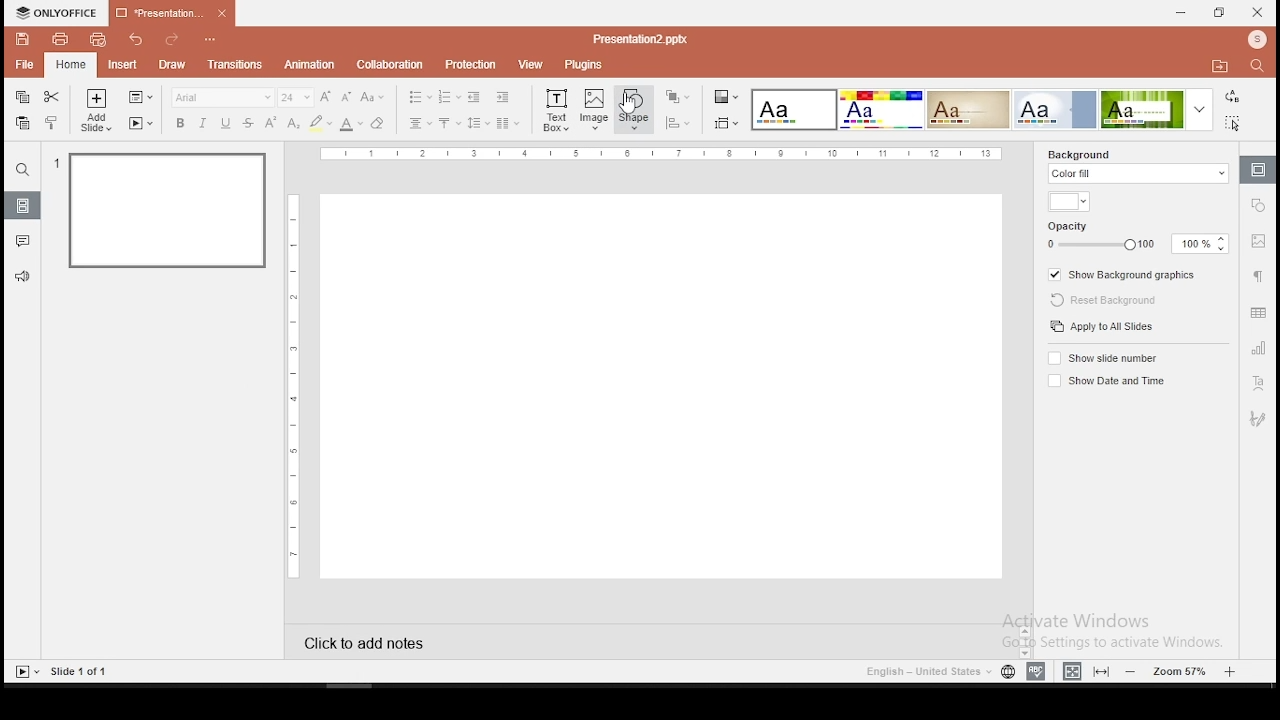 Image resolution: width=1280 pixels, height=720 pixels. What do you see at coordinates (629, 104) in the screenshot?
I see `mouse pointer` at bounding box center [629, 104].